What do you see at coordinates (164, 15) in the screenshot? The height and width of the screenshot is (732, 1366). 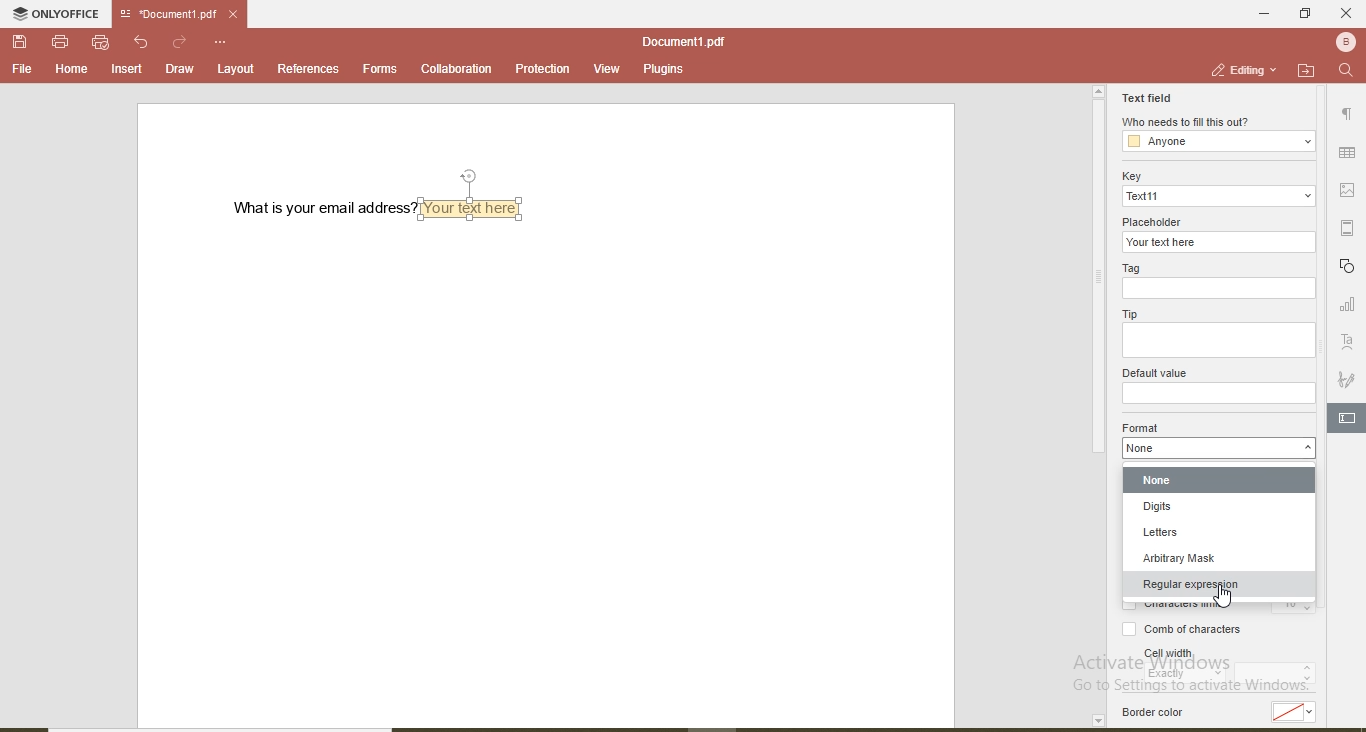 I see `file name` at bounding box center [164, 15].